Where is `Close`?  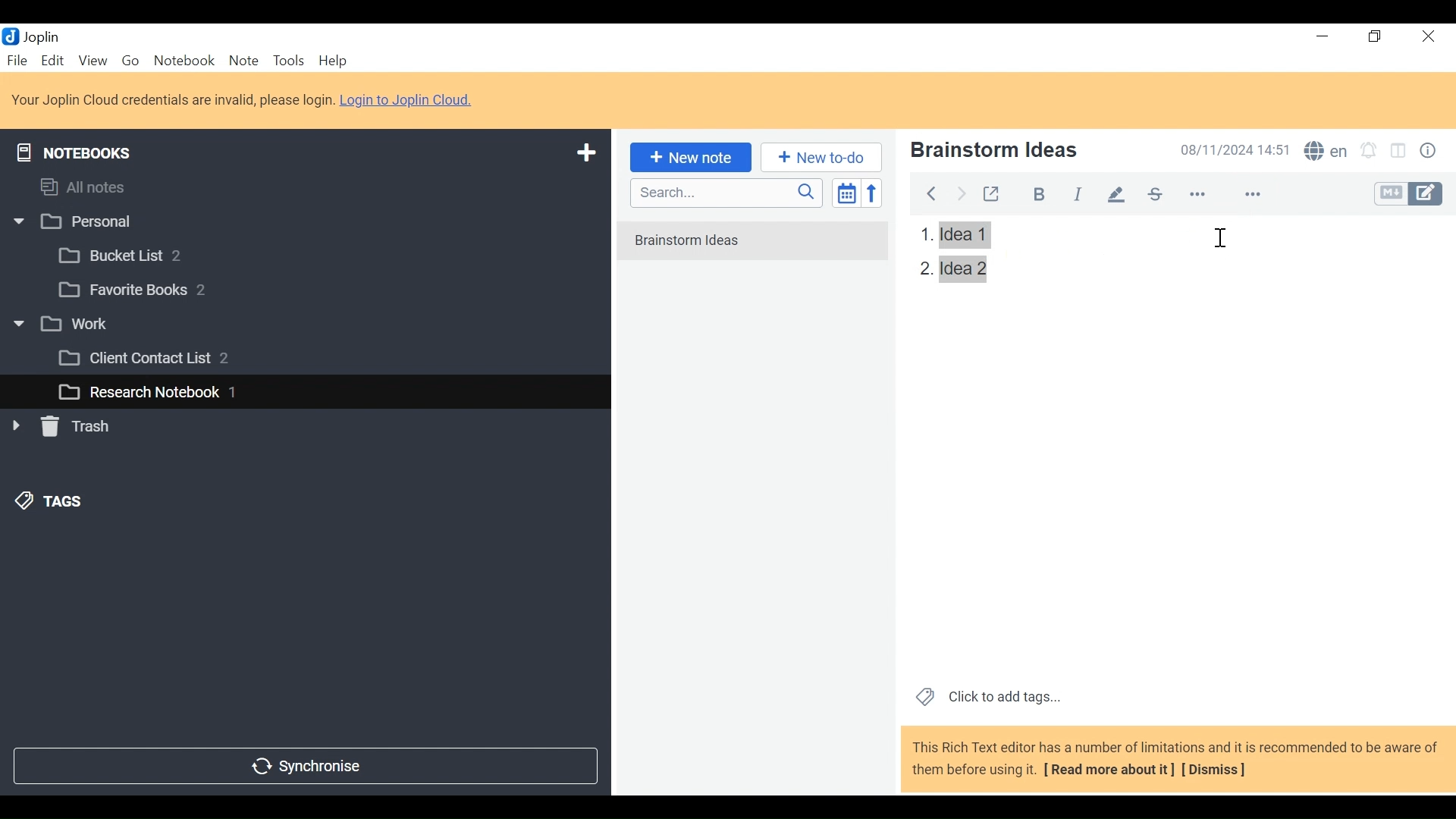
Close is located at coordinates (1426, 37).